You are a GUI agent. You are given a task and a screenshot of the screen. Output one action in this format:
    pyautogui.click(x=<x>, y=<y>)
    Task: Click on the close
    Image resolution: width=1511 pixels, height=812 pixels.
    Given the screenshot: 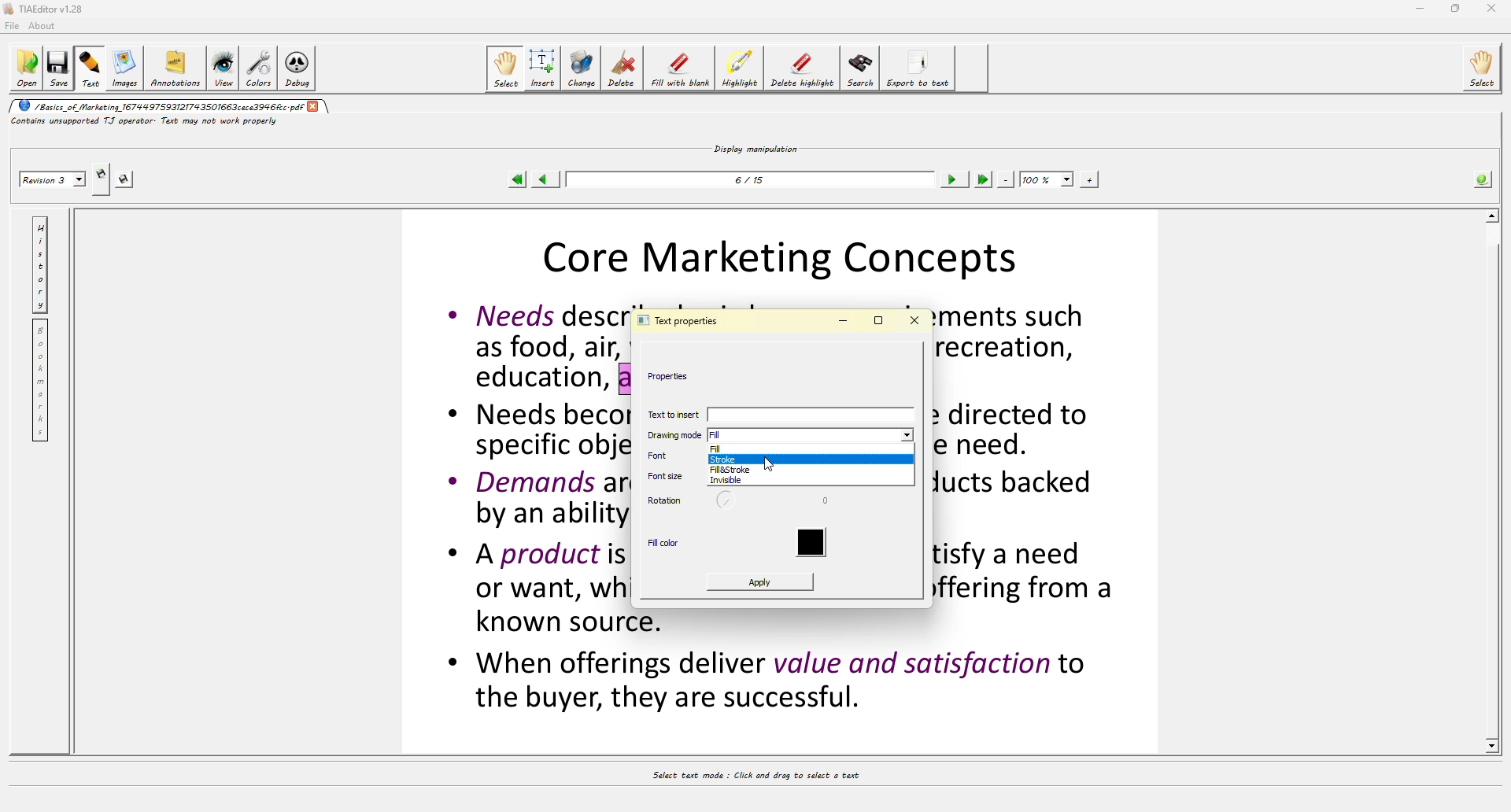 What is the action you would take?
    pyautogui.click(x=920, y=319)
    